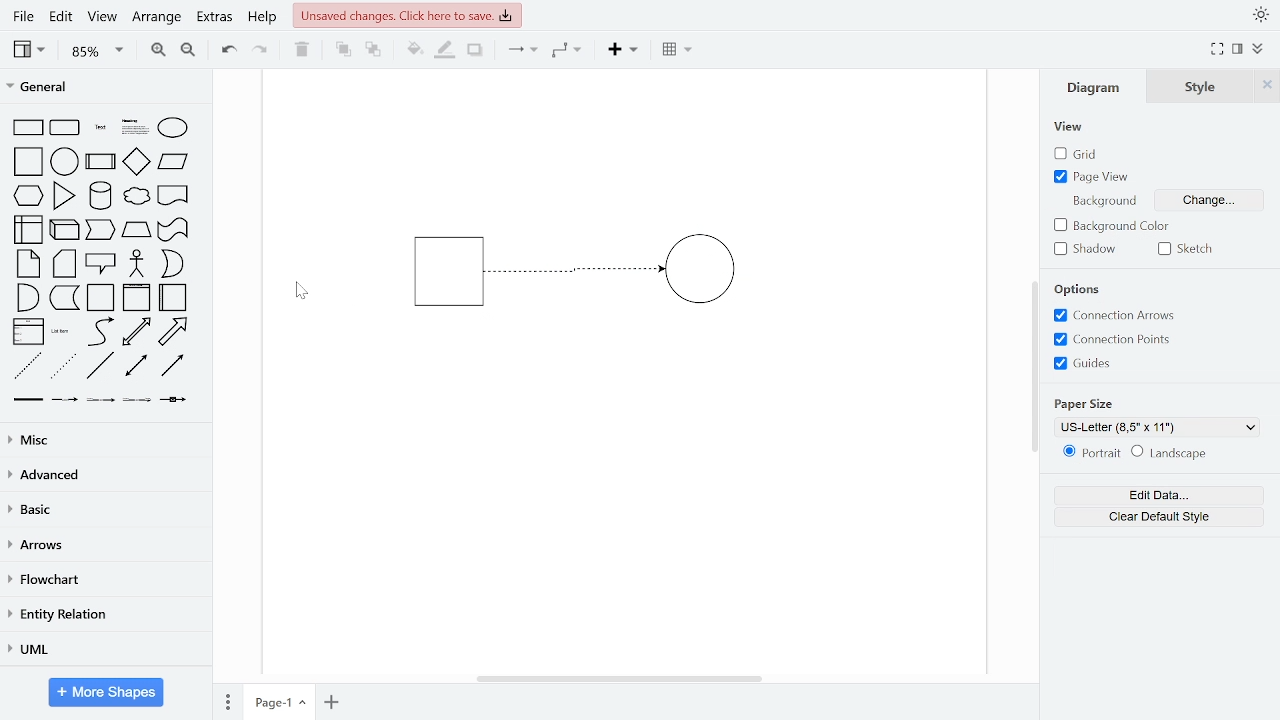  I want to click on connection arrows, so click(1124, 315).